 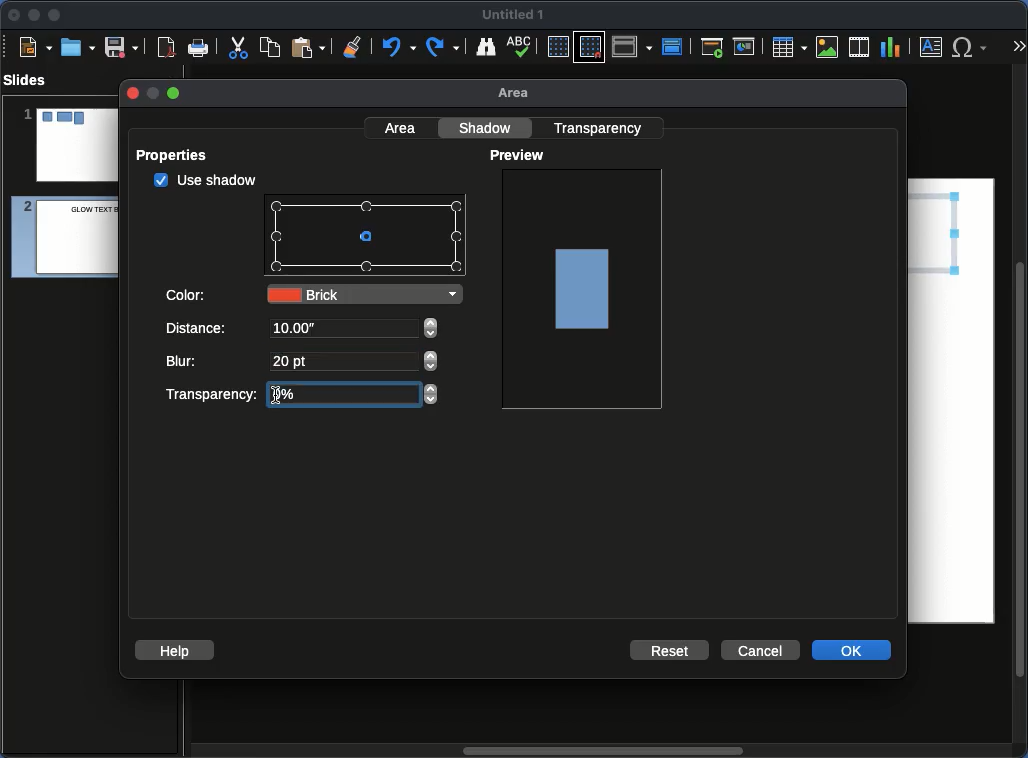 What do you see at coordinates (759, 651) in the screenshot?
I see `Cancel` at bounding box center [759, 651].